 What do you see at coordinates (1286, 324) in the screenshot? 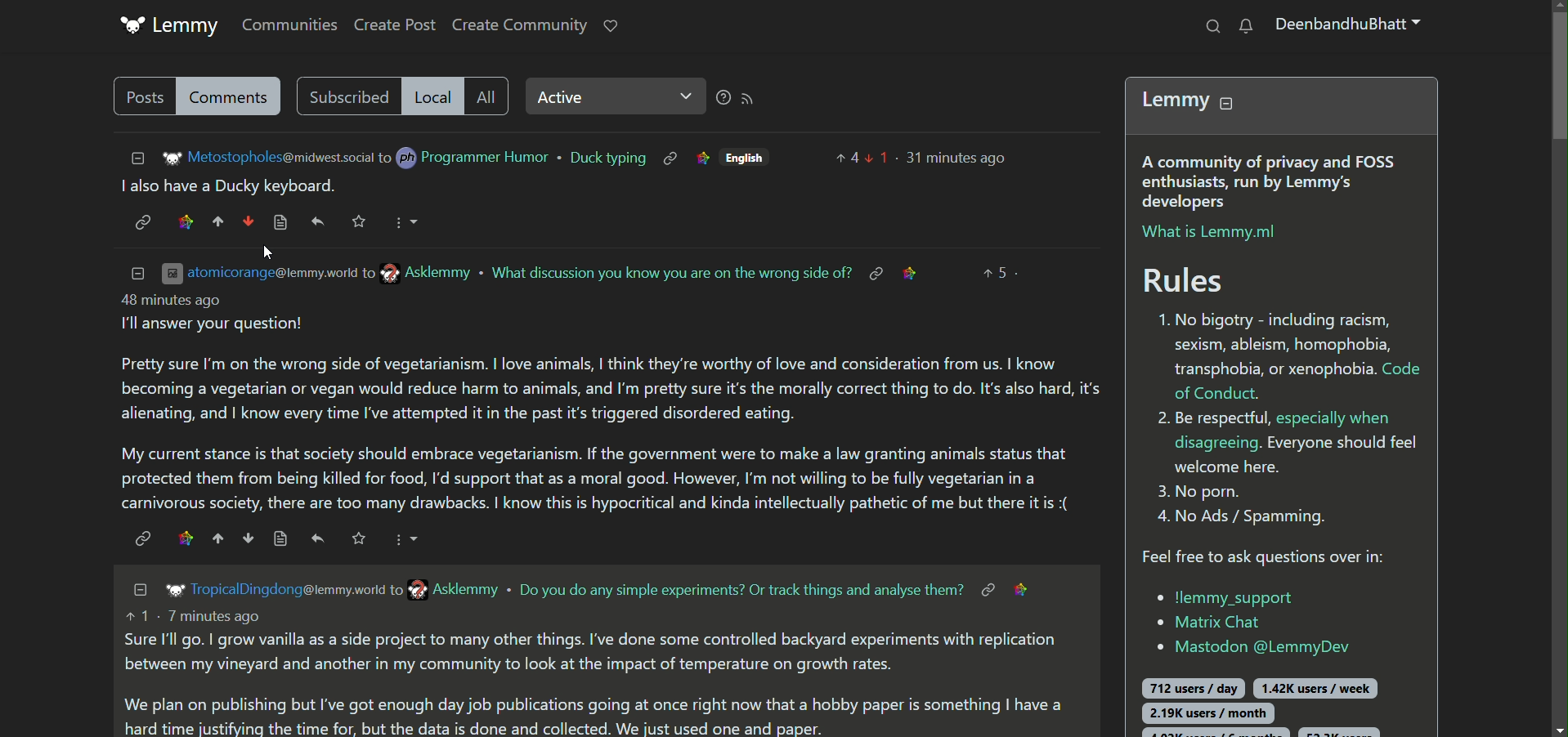
I see `Lemmy Rules` at bounding box center [1286, 324].